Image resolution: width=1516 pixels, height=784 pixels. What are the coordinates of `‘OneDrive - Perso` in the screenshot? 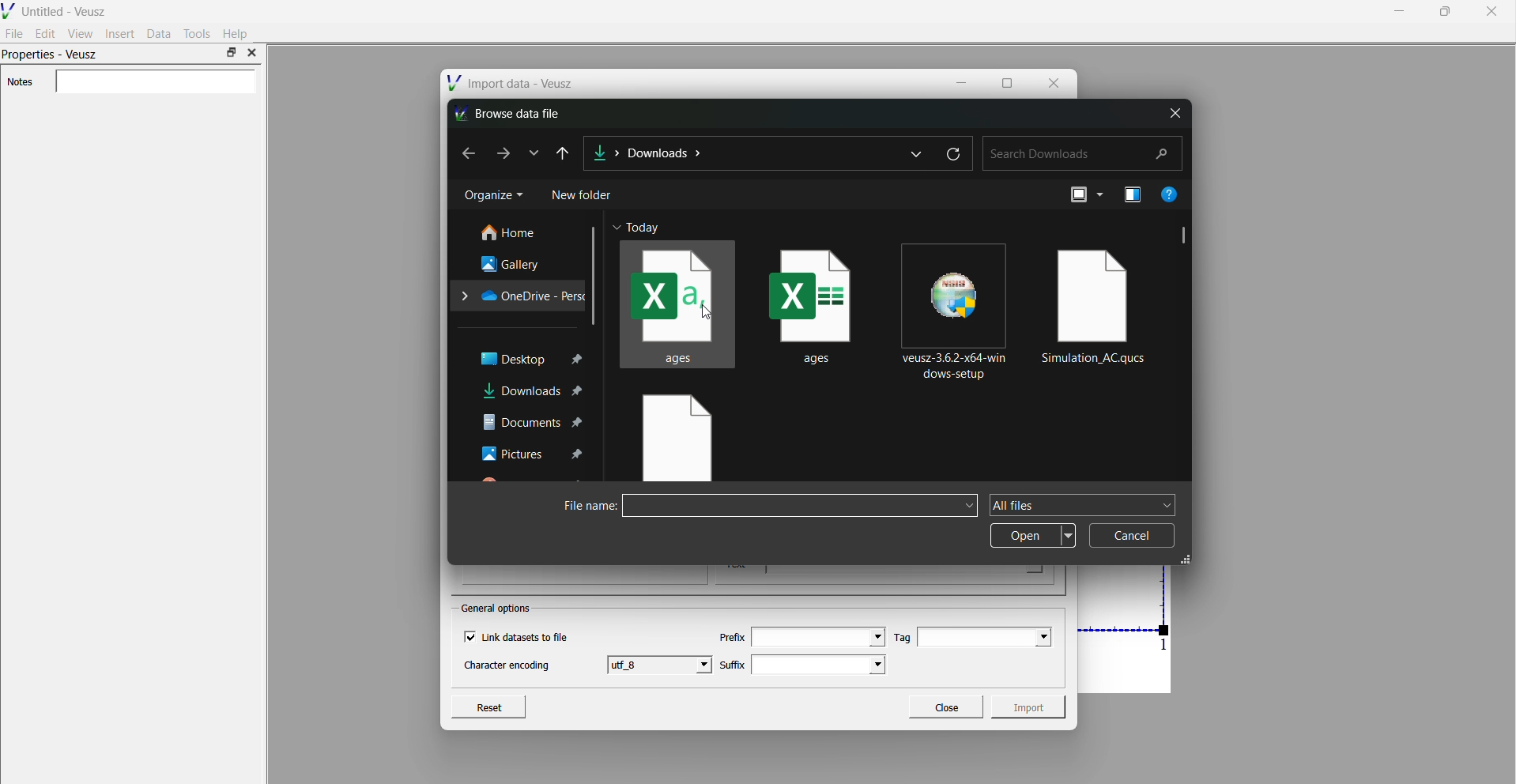 It's located at (521, 295).